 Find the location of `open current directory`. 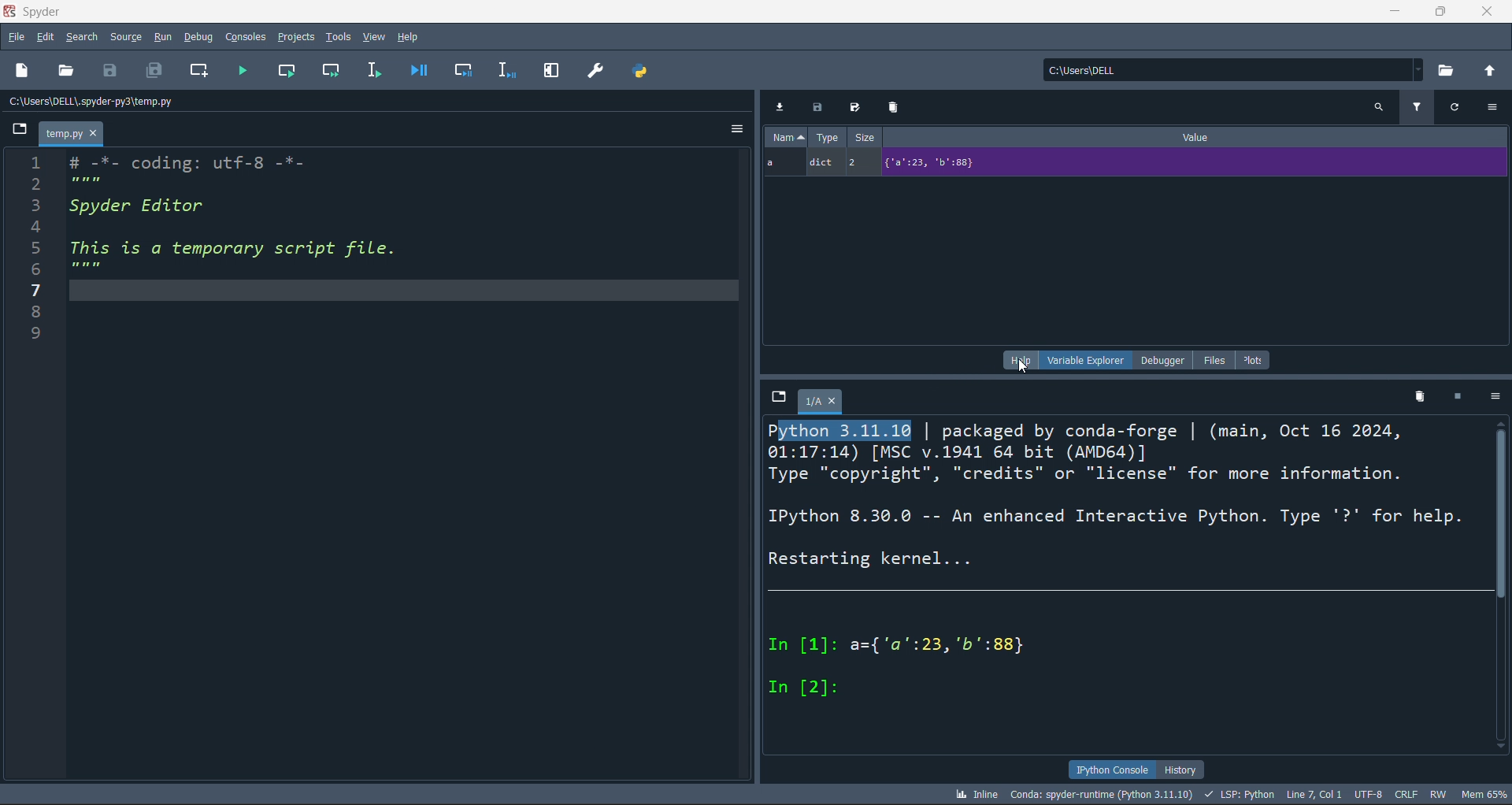

open current directory is located at coordinates (1445, 71).